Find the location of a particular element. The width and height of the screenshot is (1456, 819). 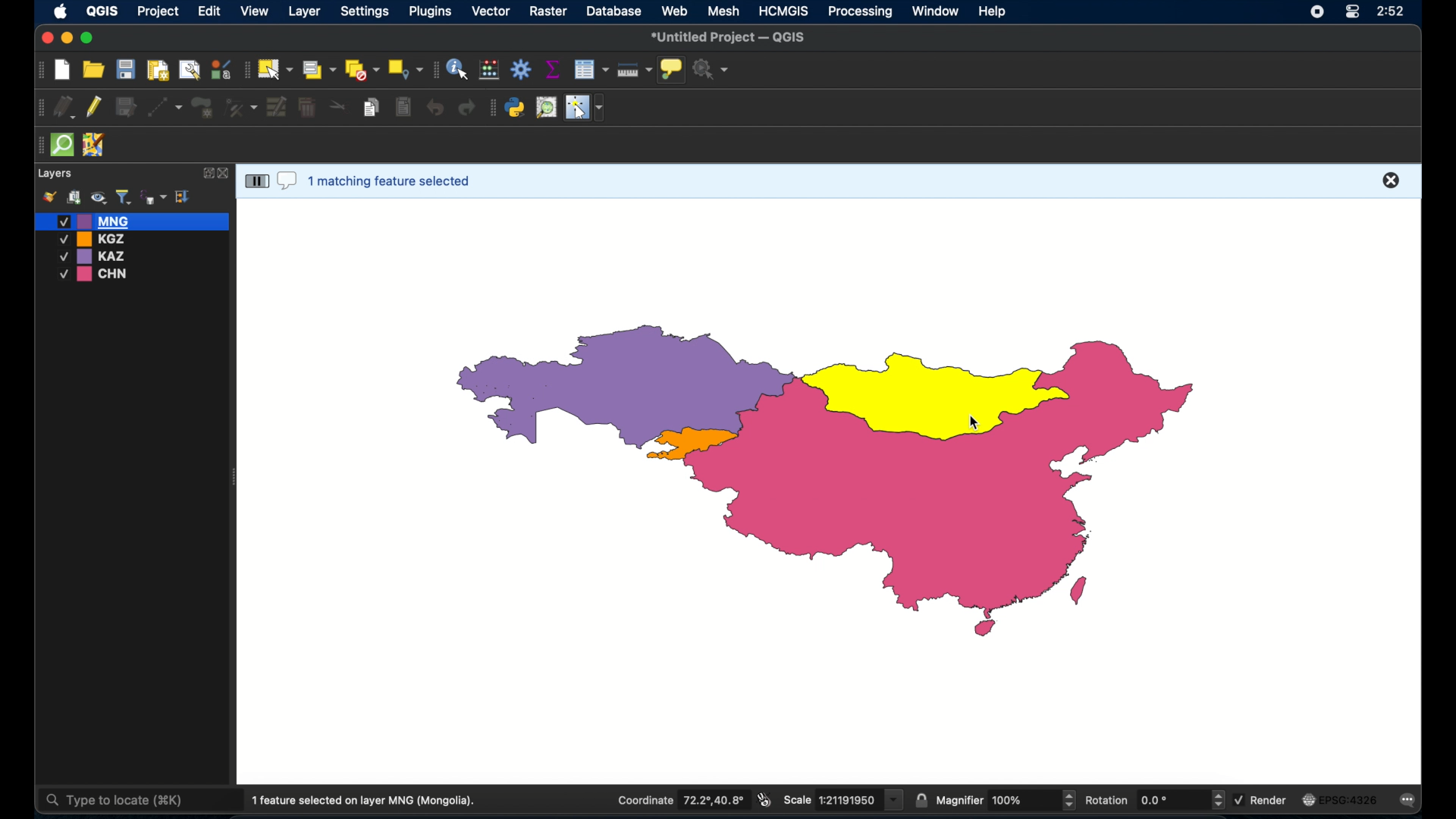

quick osm is located at coordinates (63, 146).